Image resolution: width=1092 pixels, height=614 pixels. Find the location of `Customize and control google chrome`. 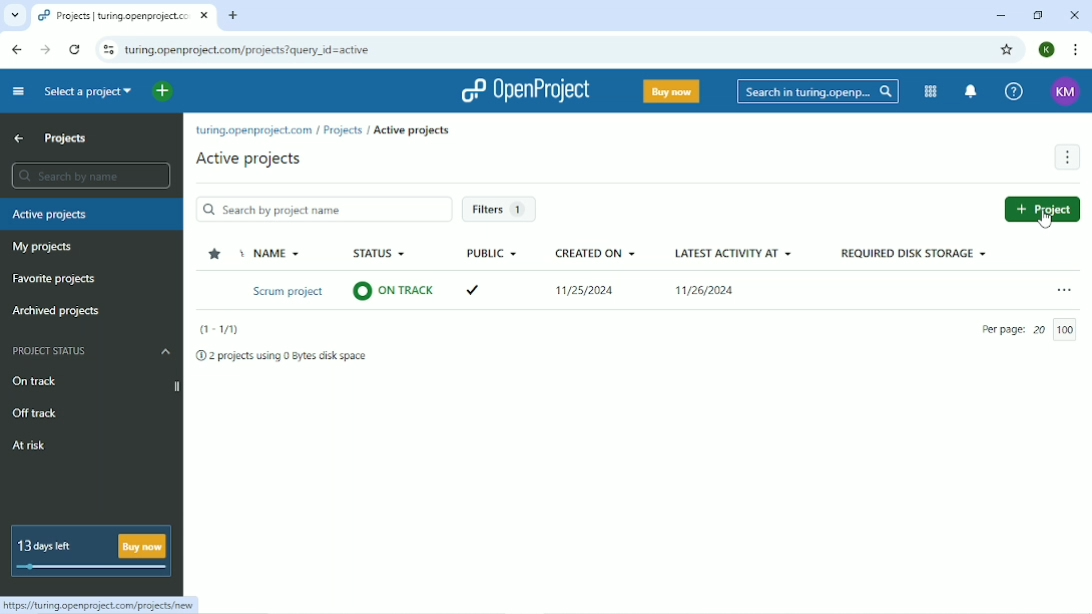

Customize and control google chrome is located at coordinates (1076, 49).